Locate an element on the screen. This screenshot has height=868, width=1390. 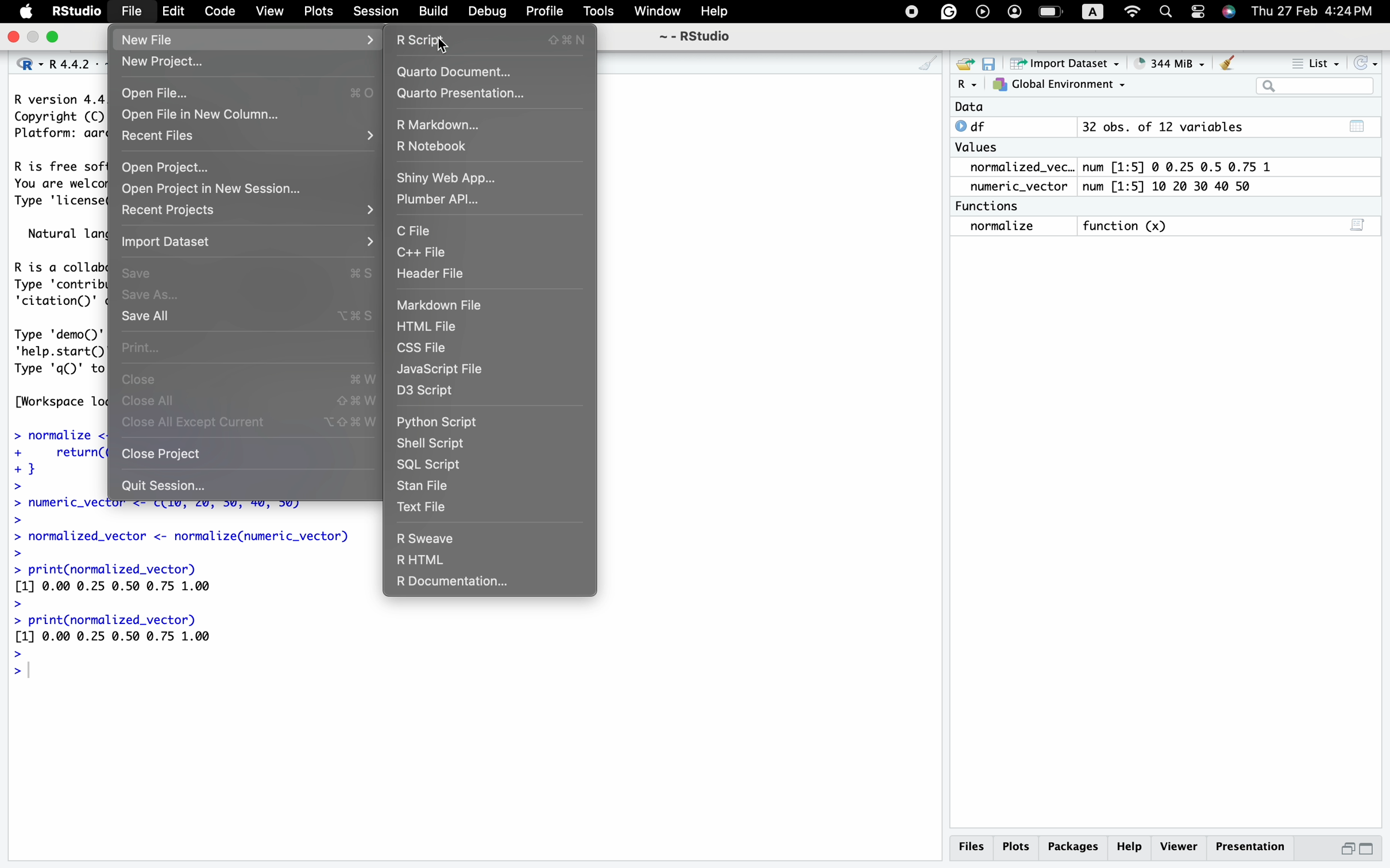
Close All is located at coordinates (156, 402).